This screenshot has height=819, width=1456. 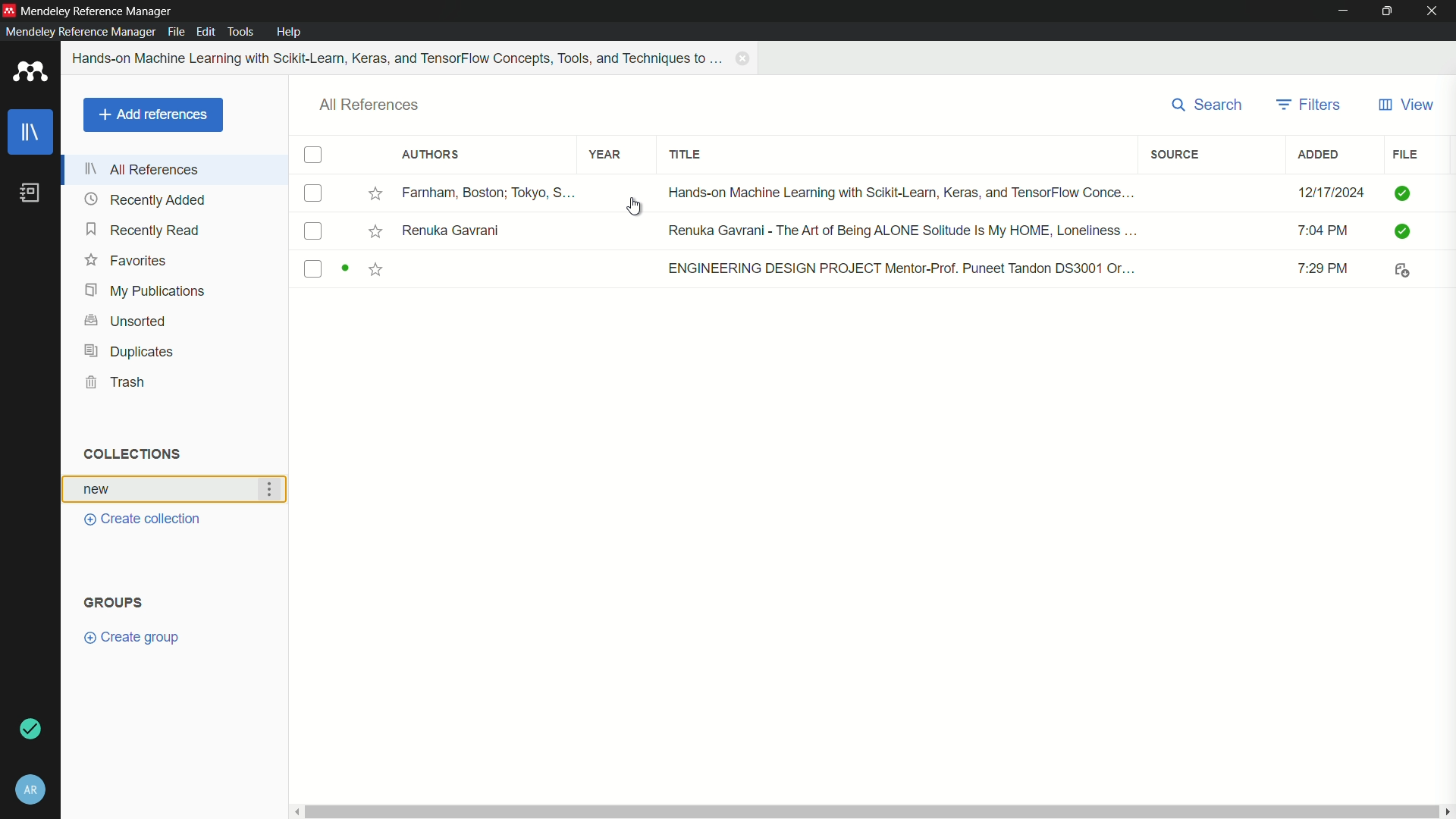 What do you see at coordinates (30, 74) in the screenshot?
I see `app icon` at bounding box center [30, 74].